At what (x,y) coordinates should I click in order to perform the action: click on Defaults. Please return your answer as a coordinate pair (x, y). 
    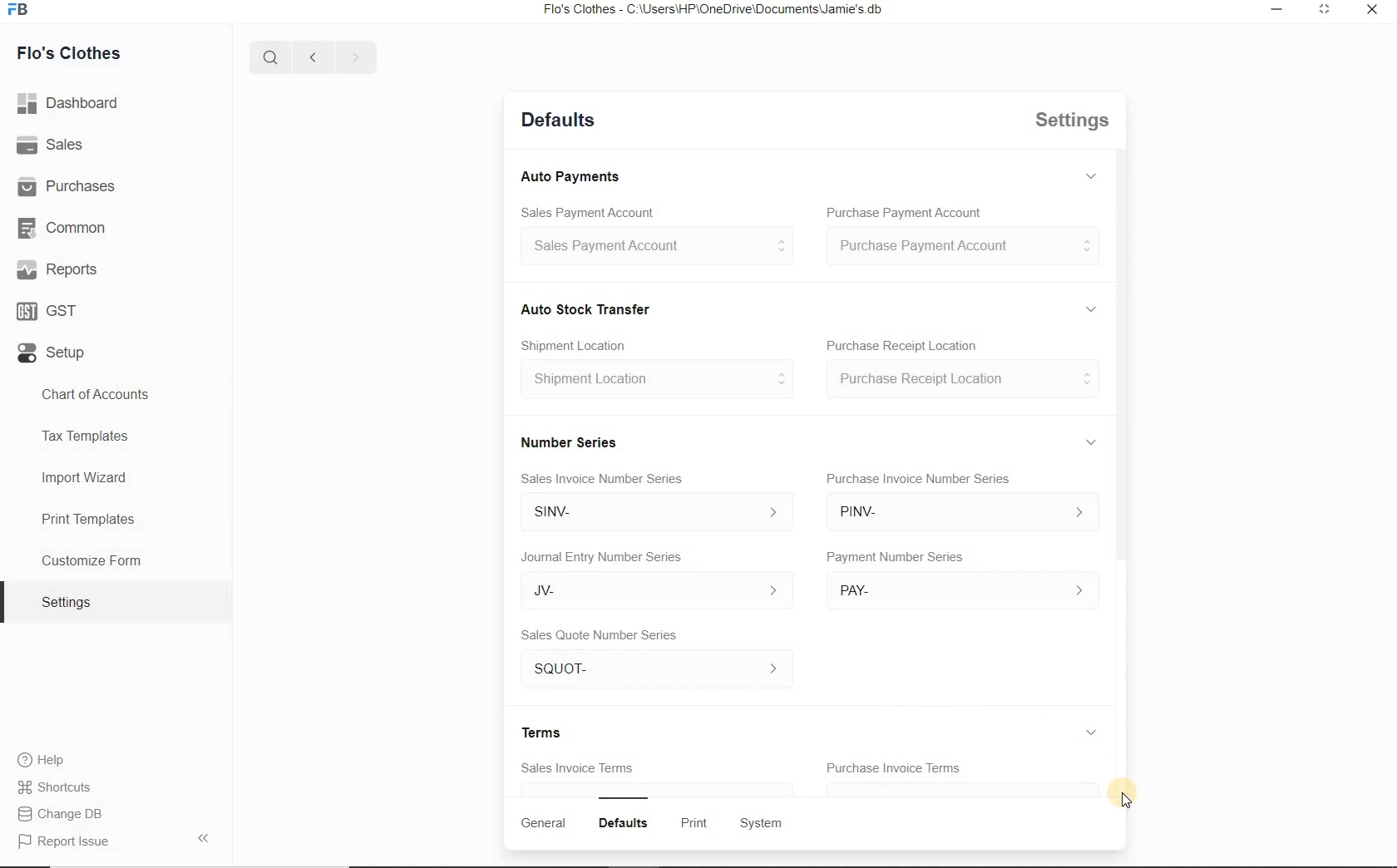
    Looking at the image, I should click on (558, 119).